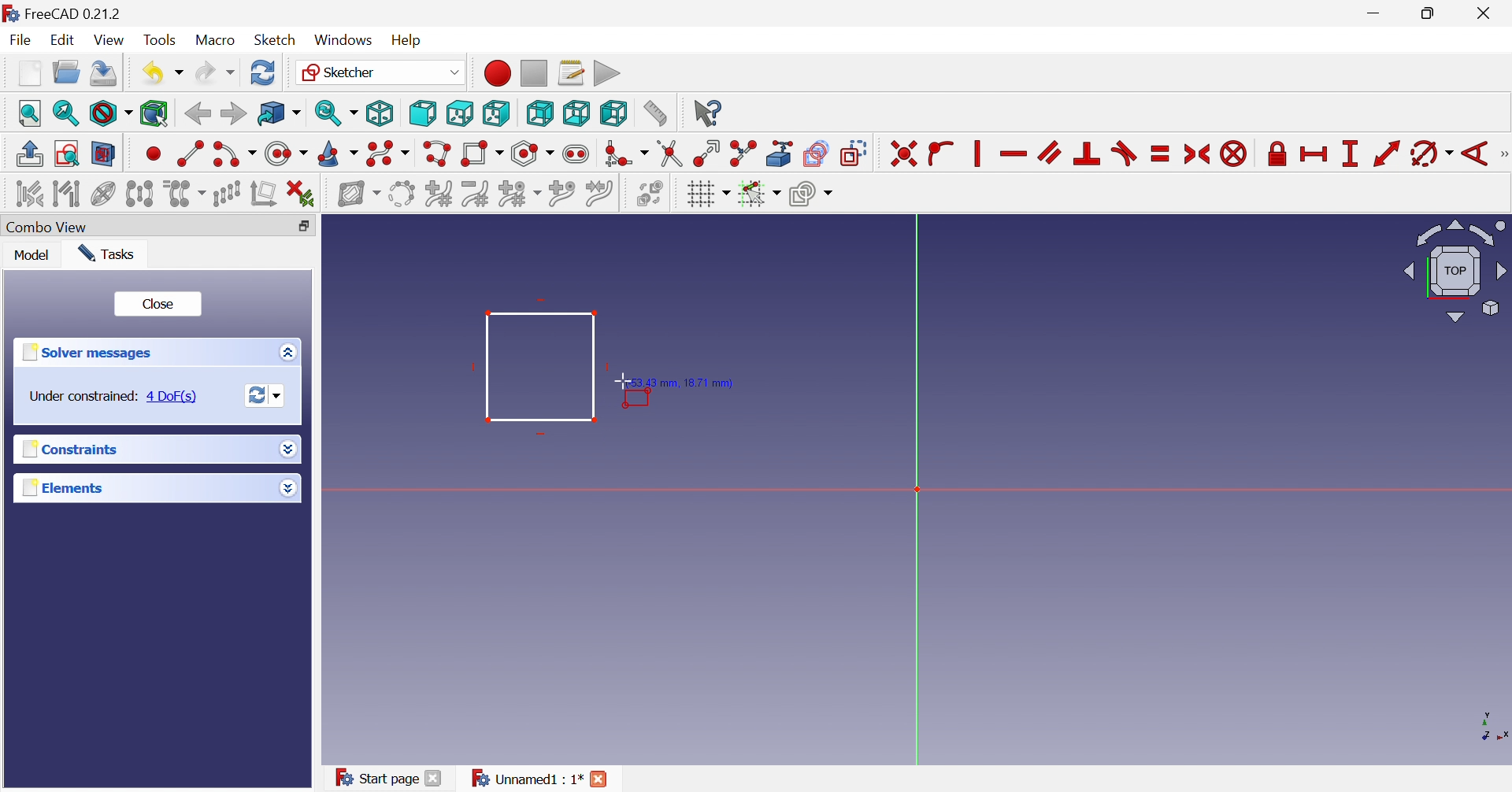 The image size is (1512, 792). What do you see at coordinates (28, 154) in the screenshot?
I see `Leave sketch` at bounding box center [28, 154].